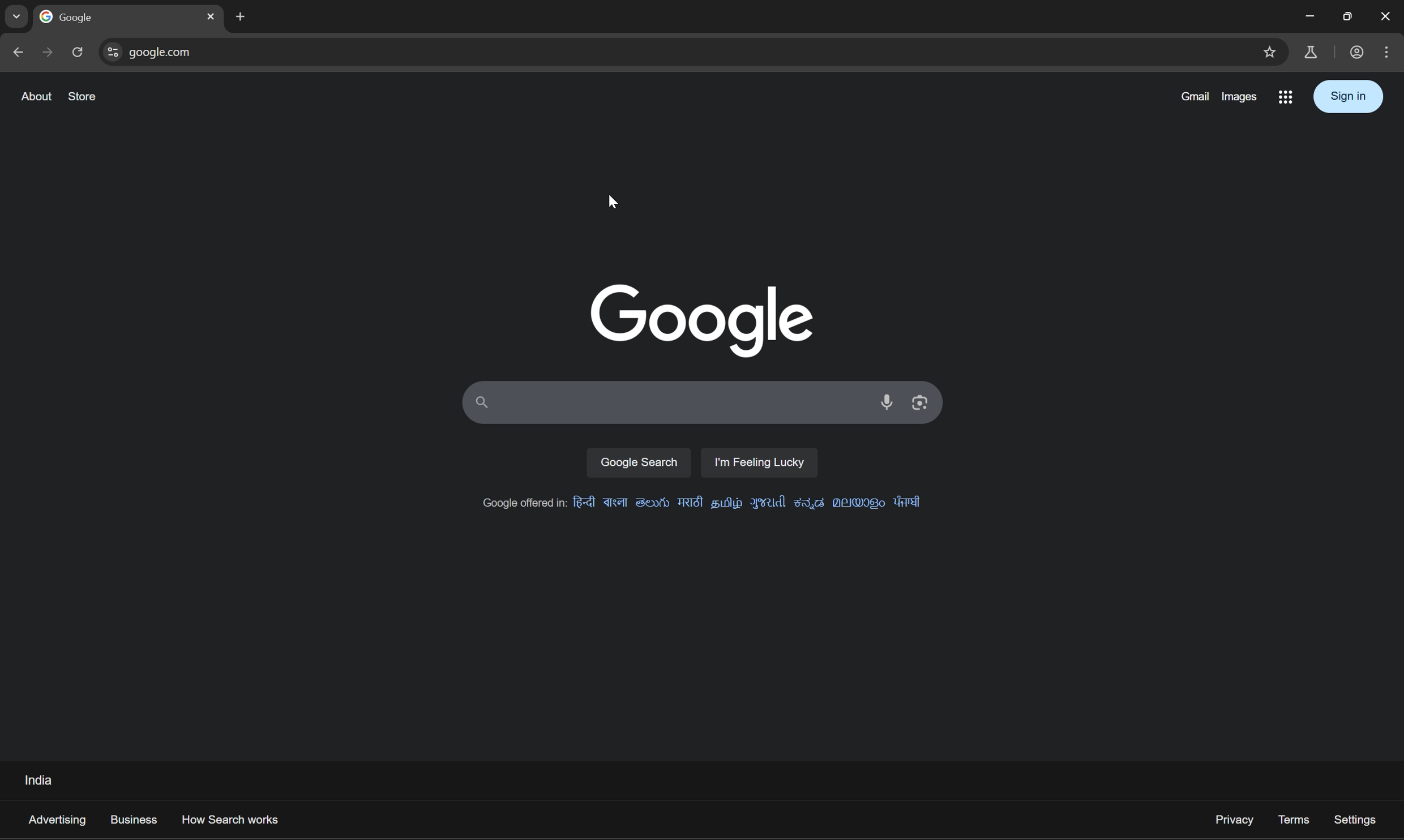 The height and width of the screenshot is (840, 1404). I want to click on chrome labs, so click(1311, 50).